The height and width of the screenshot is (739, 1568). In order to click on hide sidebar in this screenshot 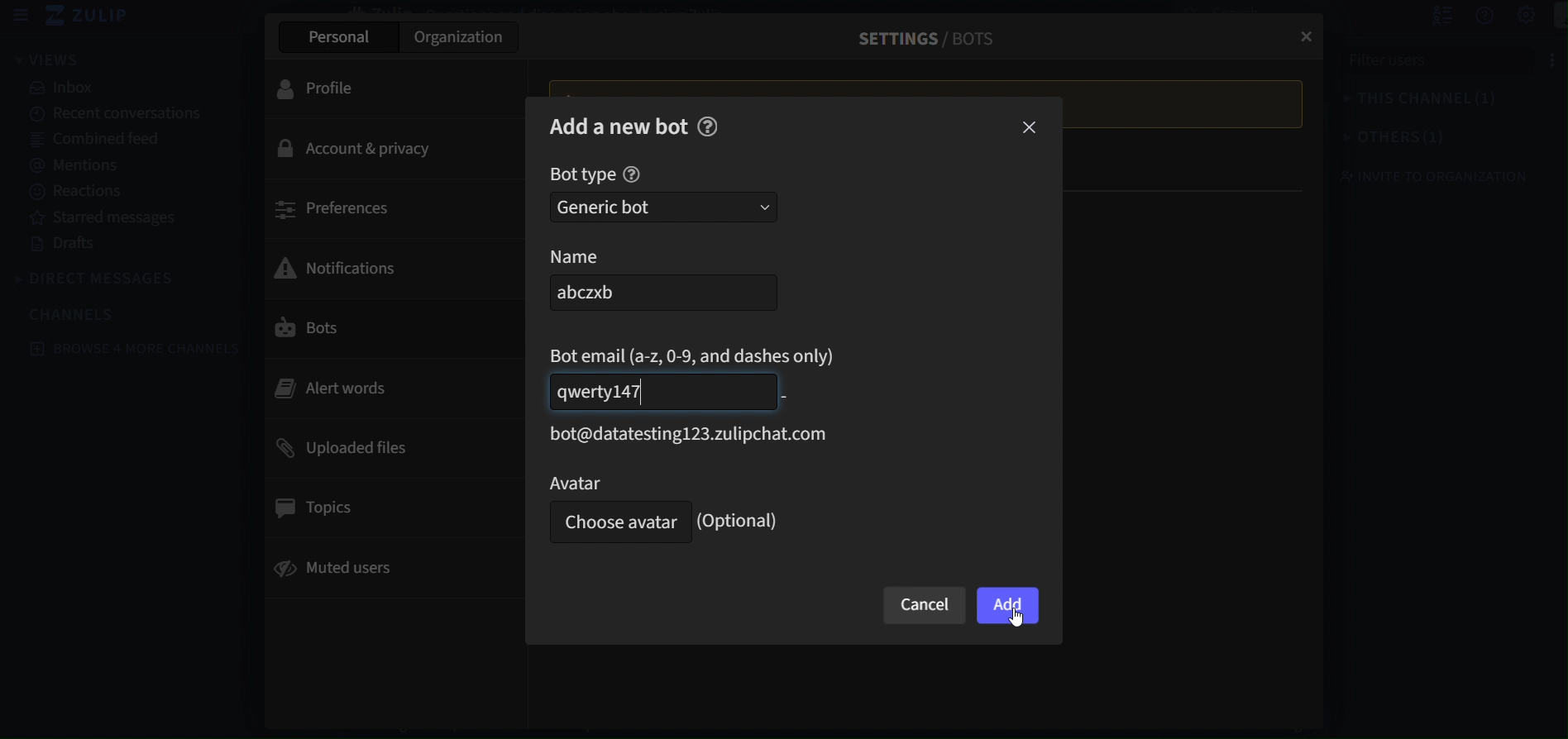, I will do `click(22, 16)`.